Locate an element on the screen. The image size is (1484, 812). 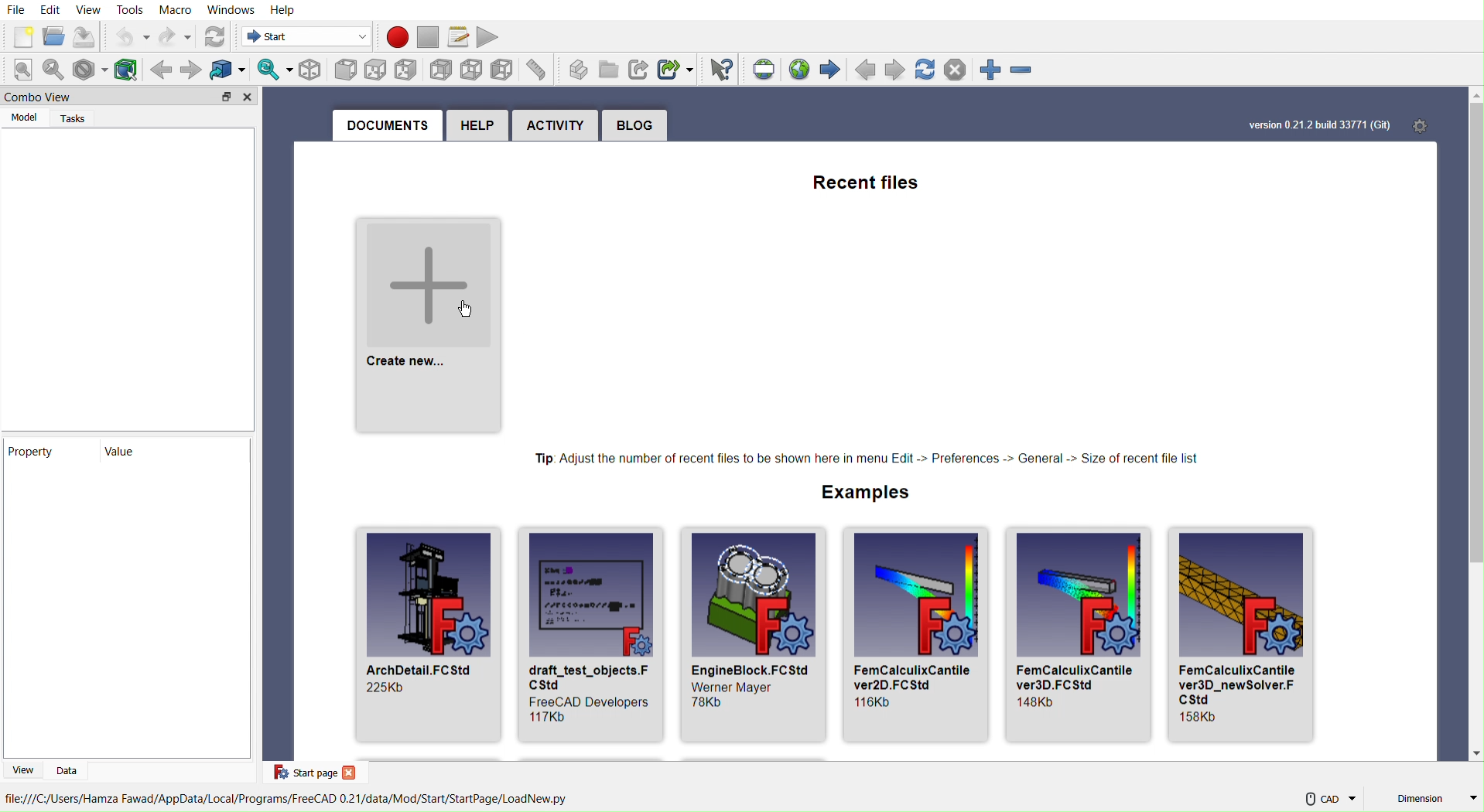
Activate the distance tool is located at coordinates (538, 70).